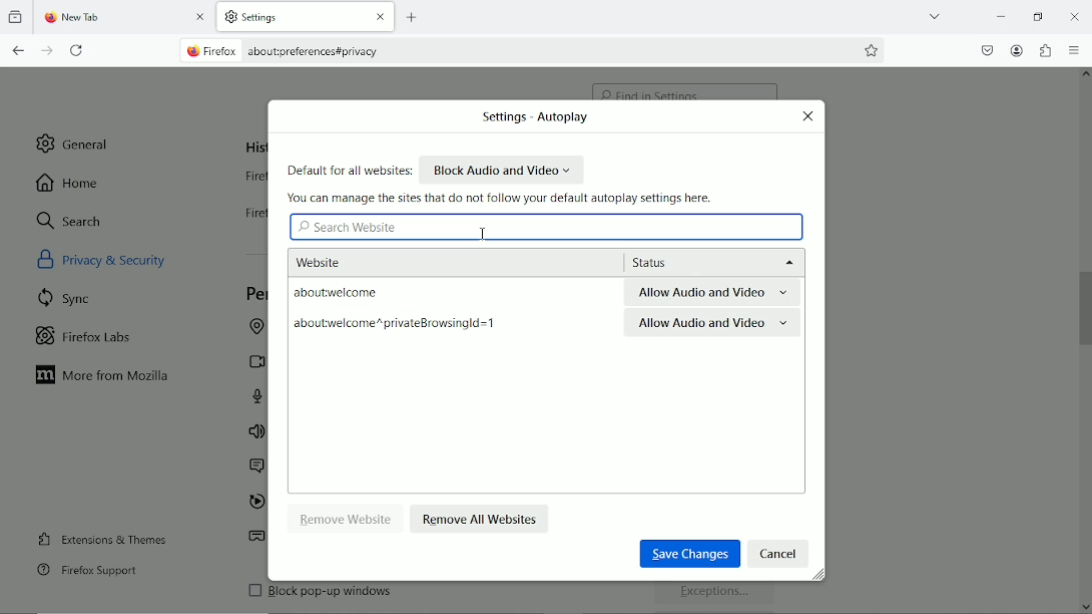 This screenshot has height=614, width=1092. I want to click on Allow Audio and Video, so click(714, 293).